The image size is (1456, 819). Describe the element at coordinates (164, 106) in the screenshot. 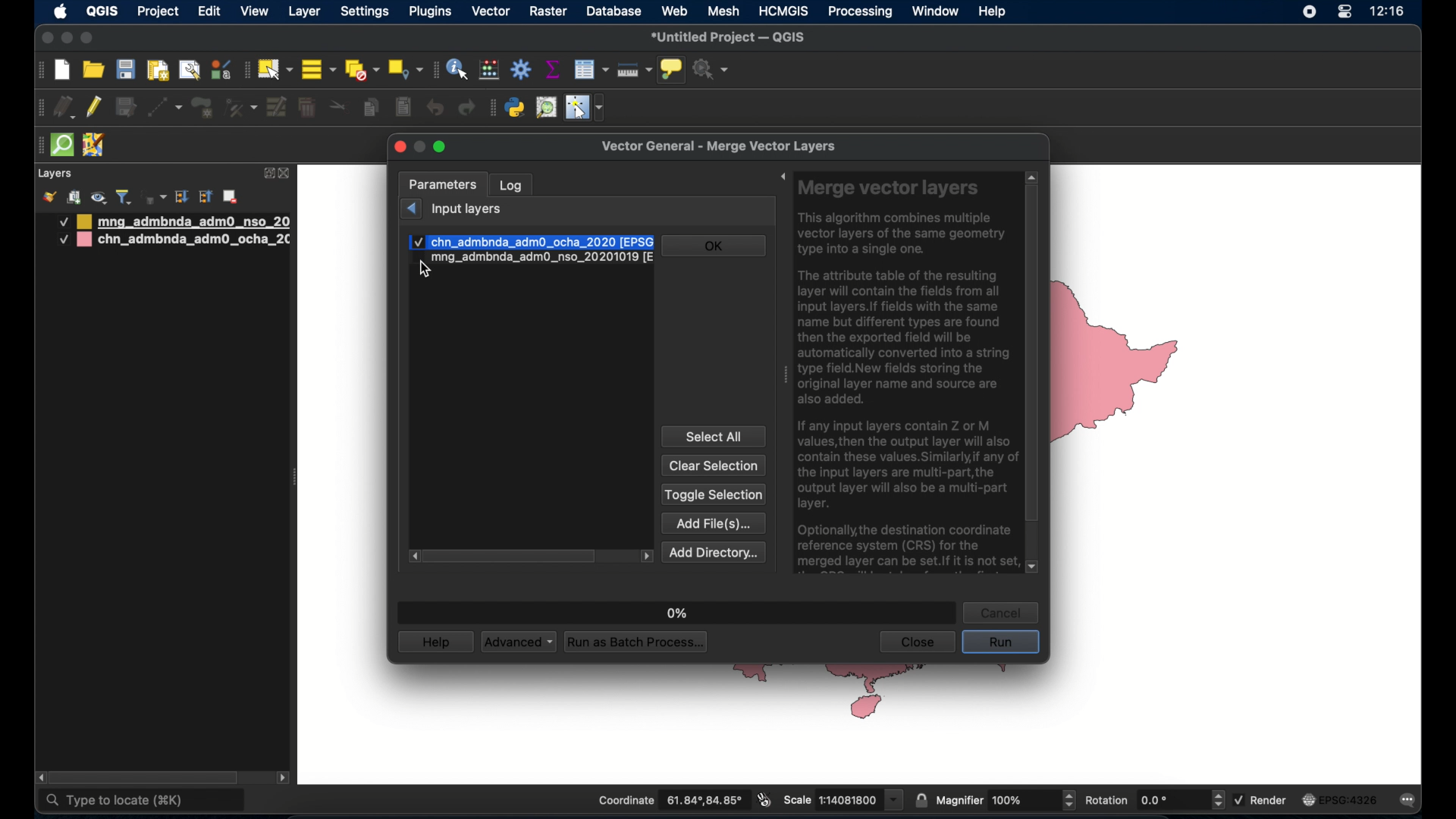

I see `digitize with segment` at that location.